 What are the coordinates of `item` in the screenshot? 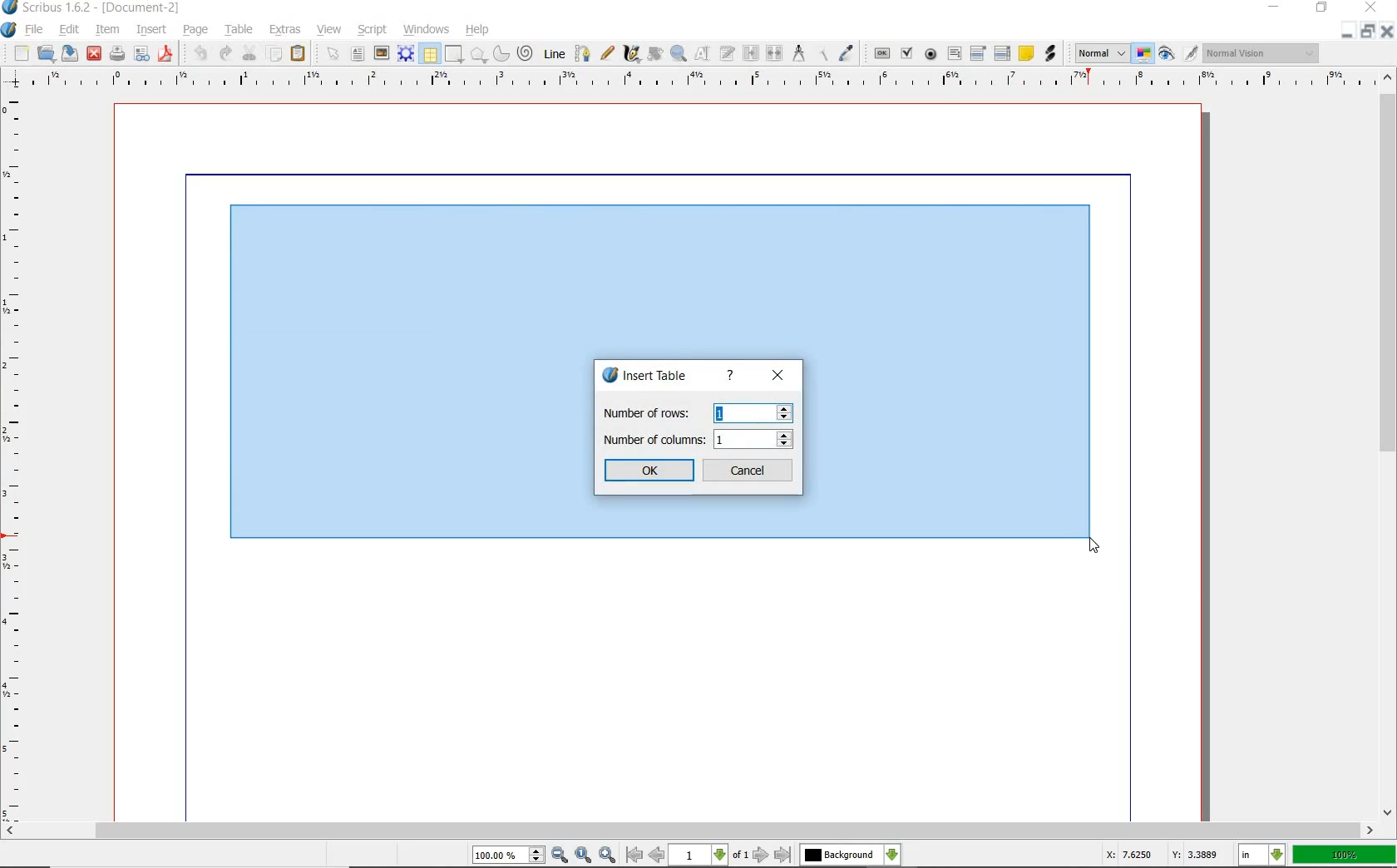 It's located at (111, 31).